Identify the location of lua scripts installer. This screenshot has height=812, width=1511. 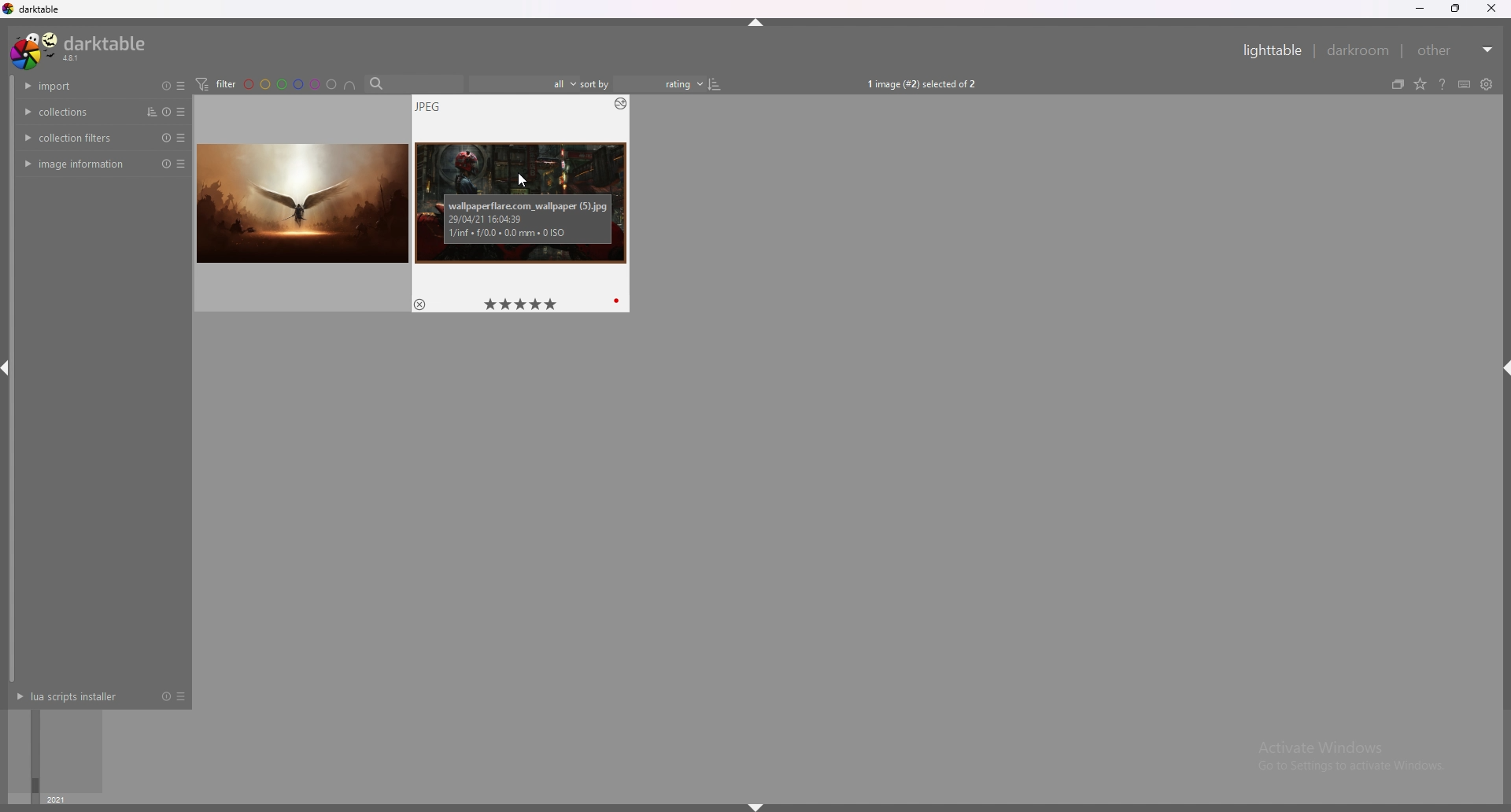
(76, 696).